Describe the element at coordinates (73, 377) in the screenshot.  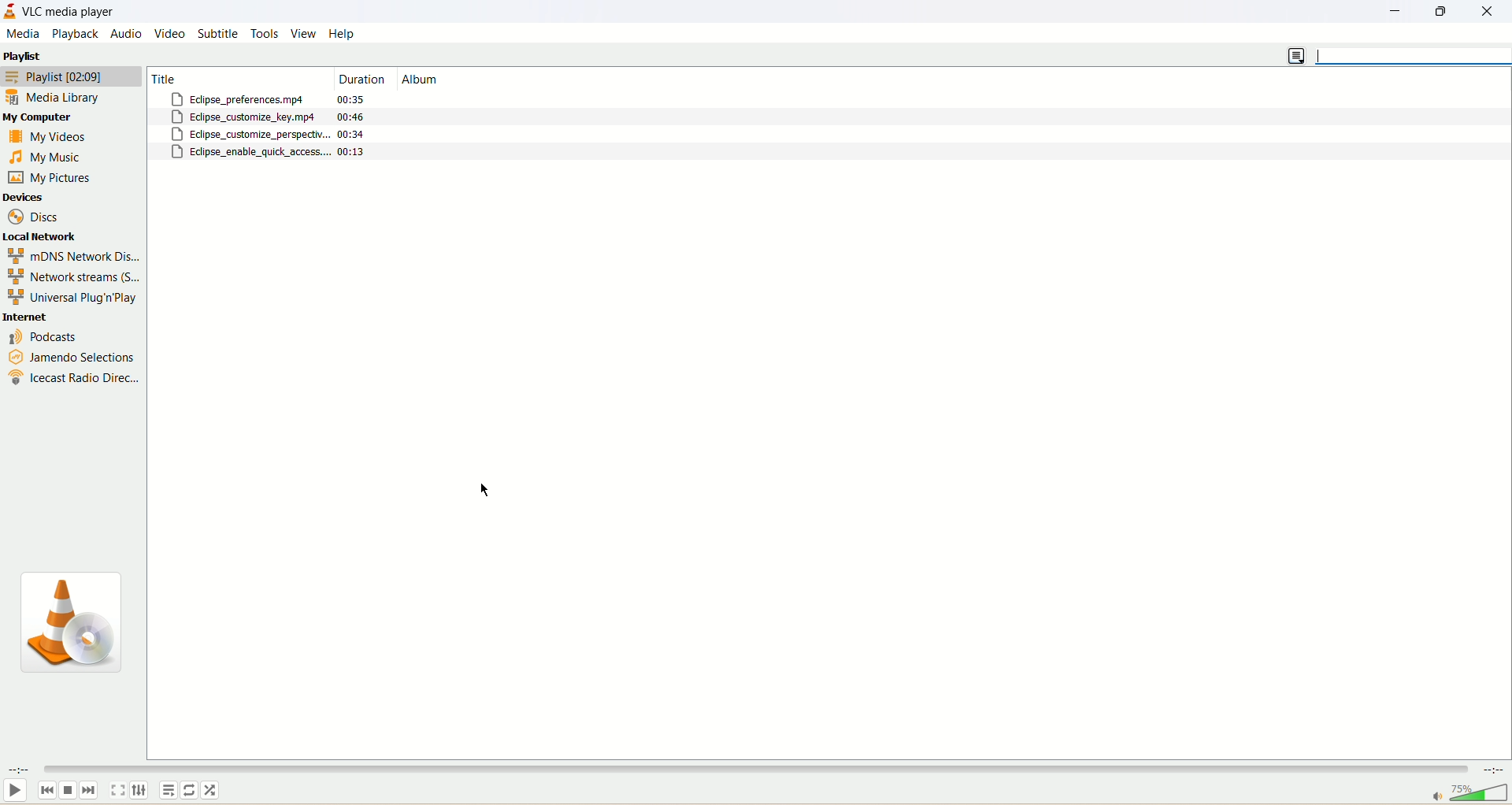
I see `icecast radio direc...` at that location.